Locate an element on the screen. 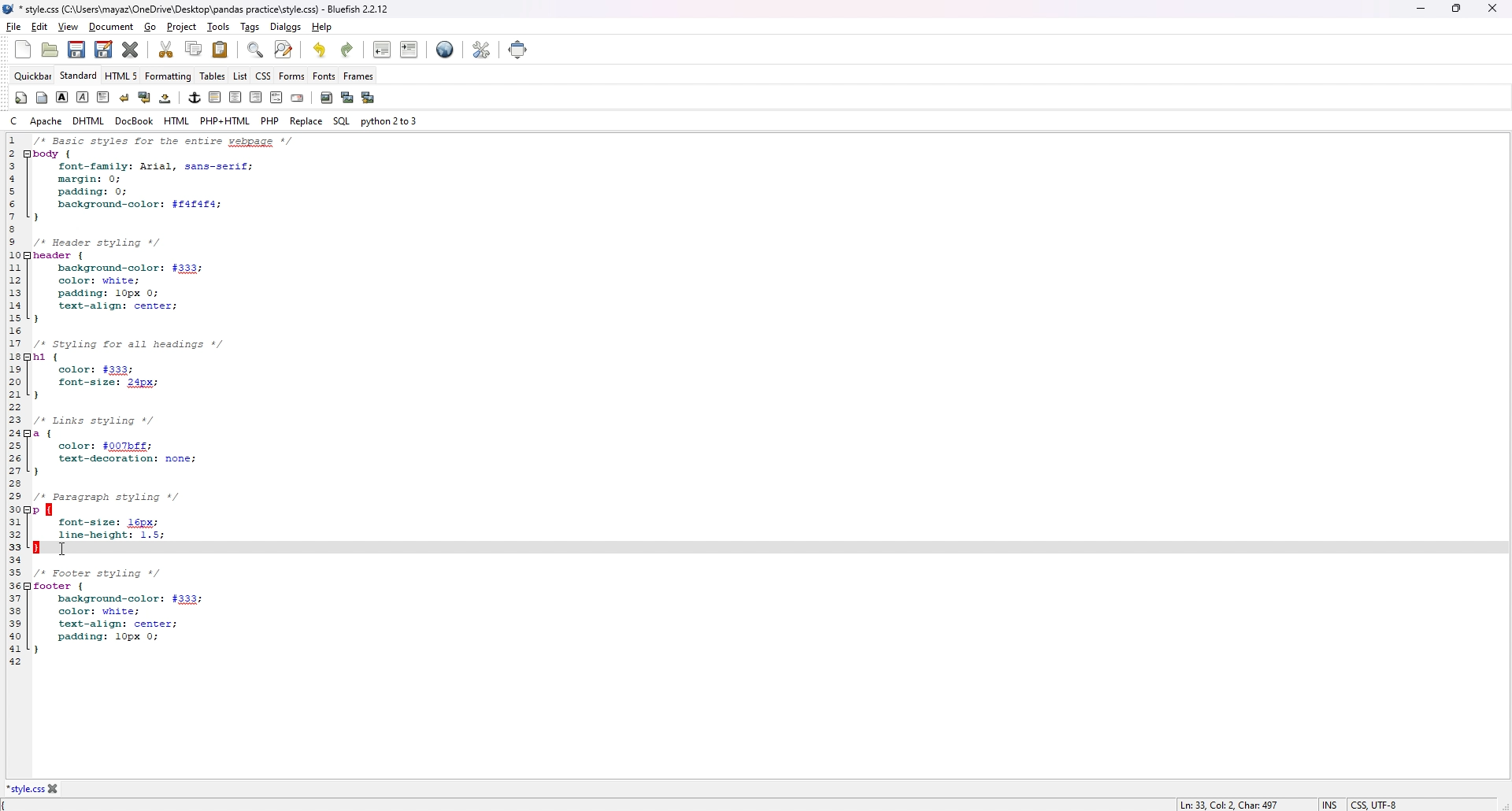  indent is located at coordinates (409, 50).